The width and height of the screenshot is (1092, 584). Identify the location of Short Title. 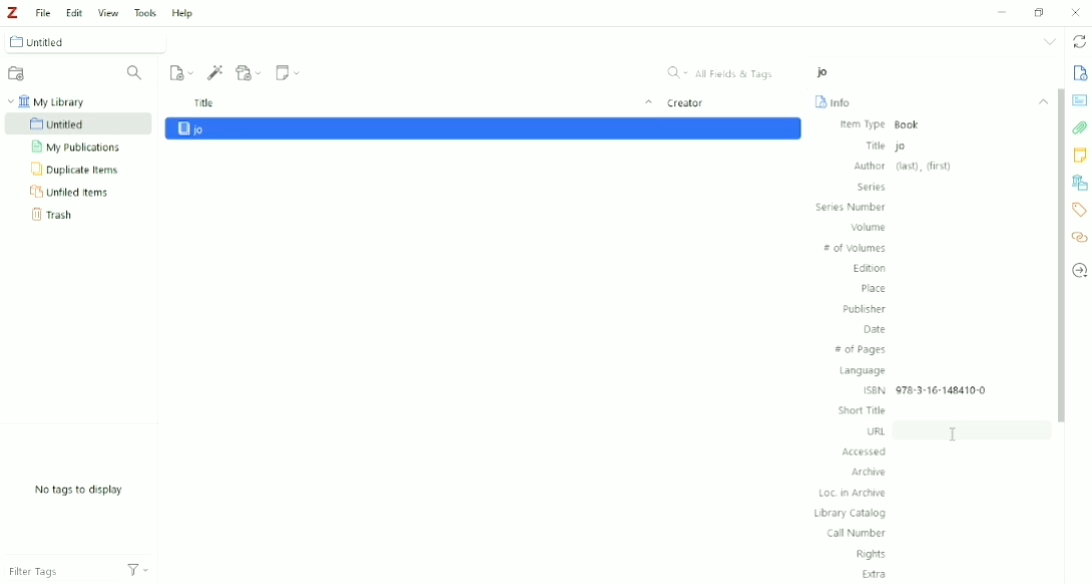
(862, 410).